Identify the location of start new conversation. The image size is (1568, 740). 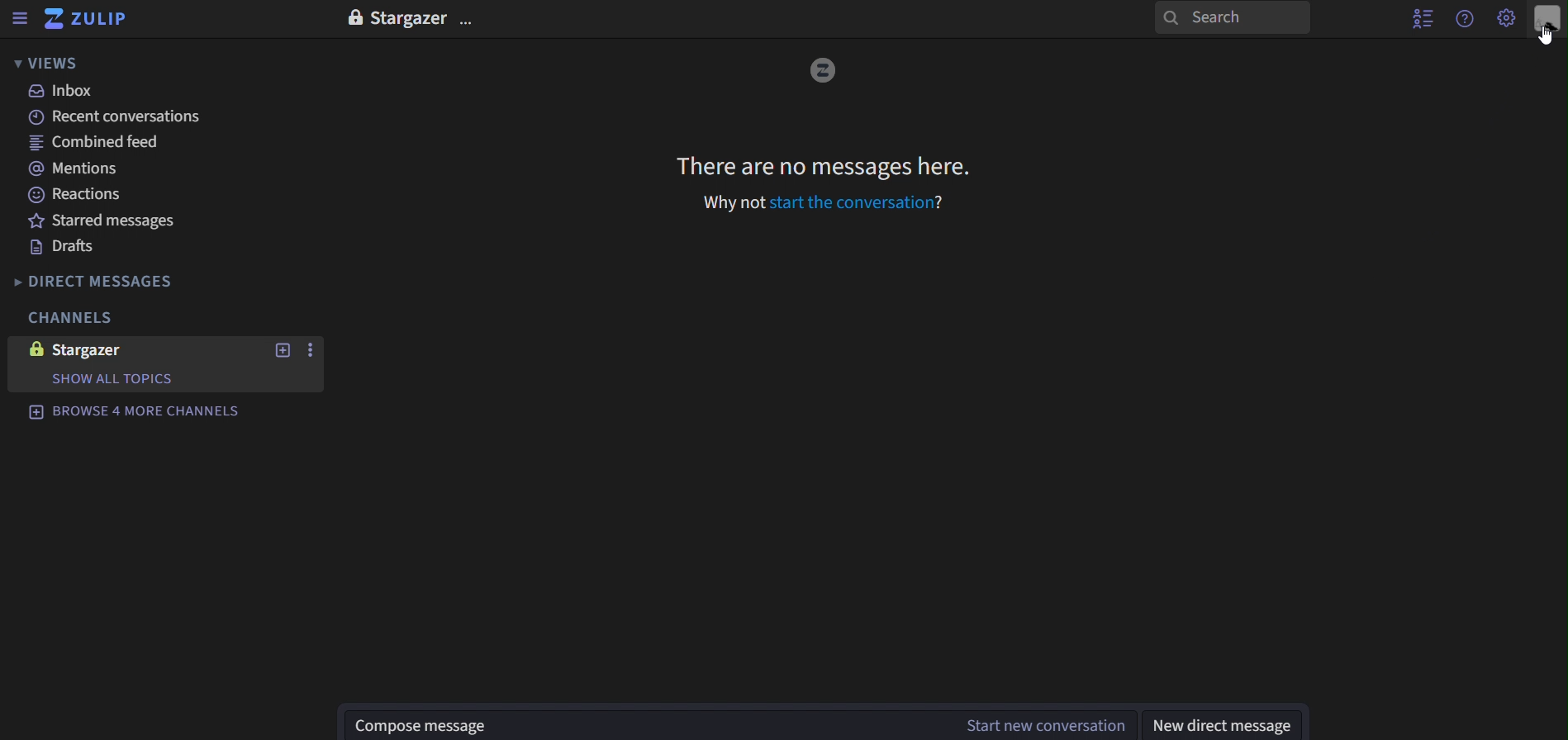
(1045, 725).